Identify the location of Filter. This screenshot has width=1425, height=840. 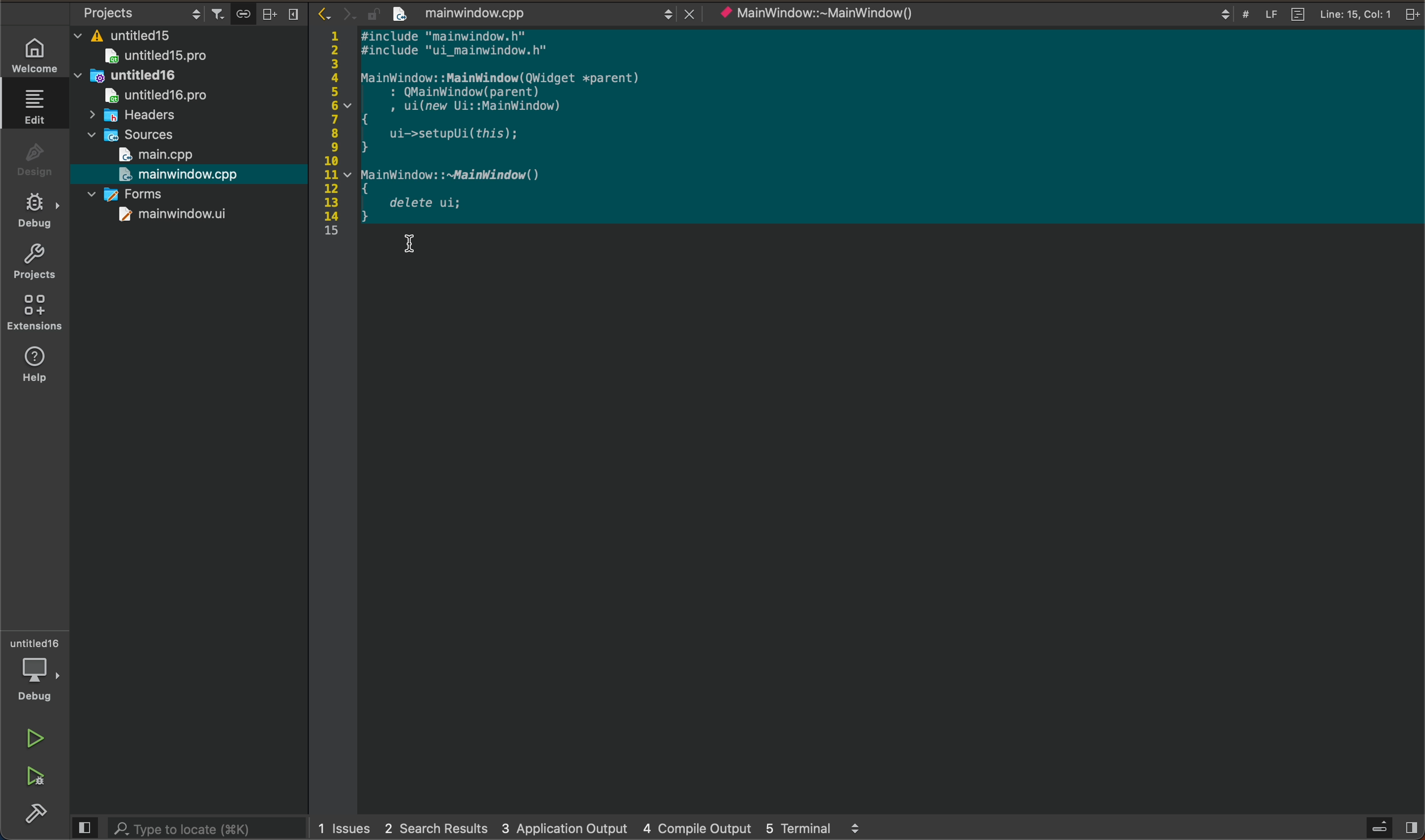
(217, 10).